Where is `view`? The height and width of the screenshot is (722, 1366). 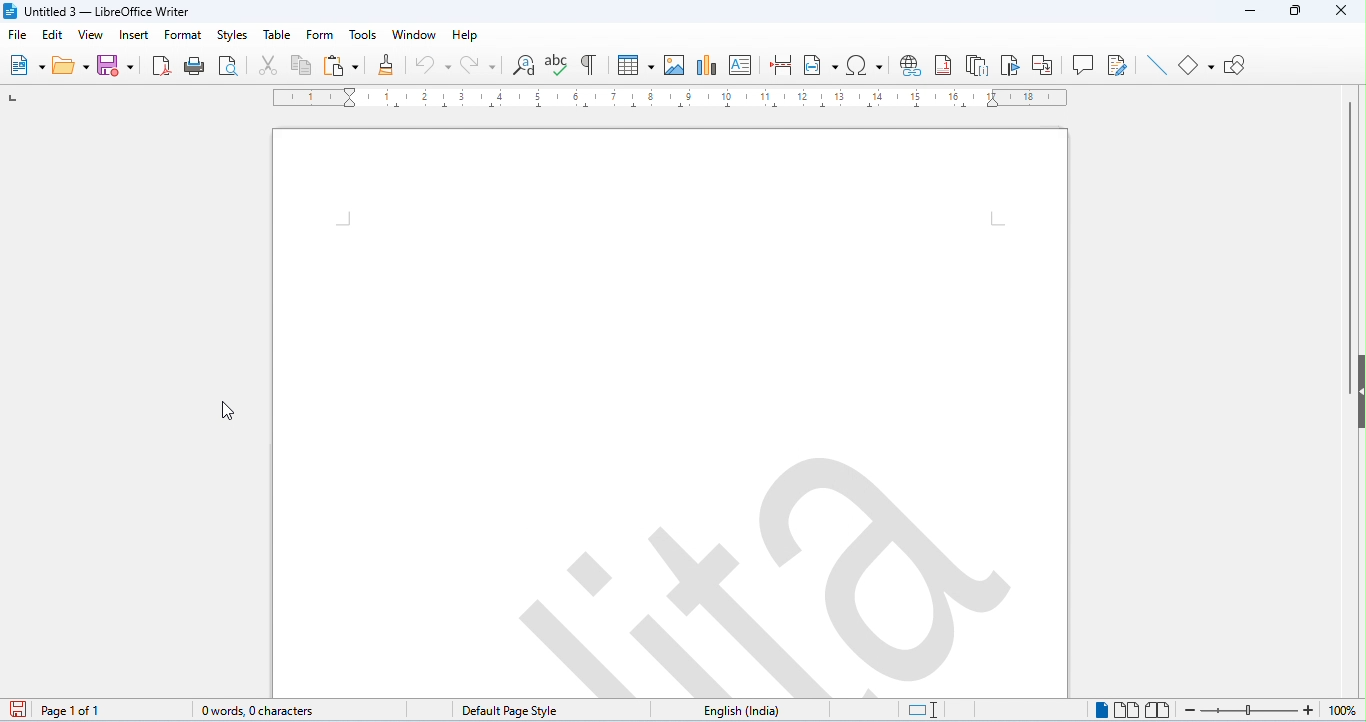 view is located at coordinates (91, 36).